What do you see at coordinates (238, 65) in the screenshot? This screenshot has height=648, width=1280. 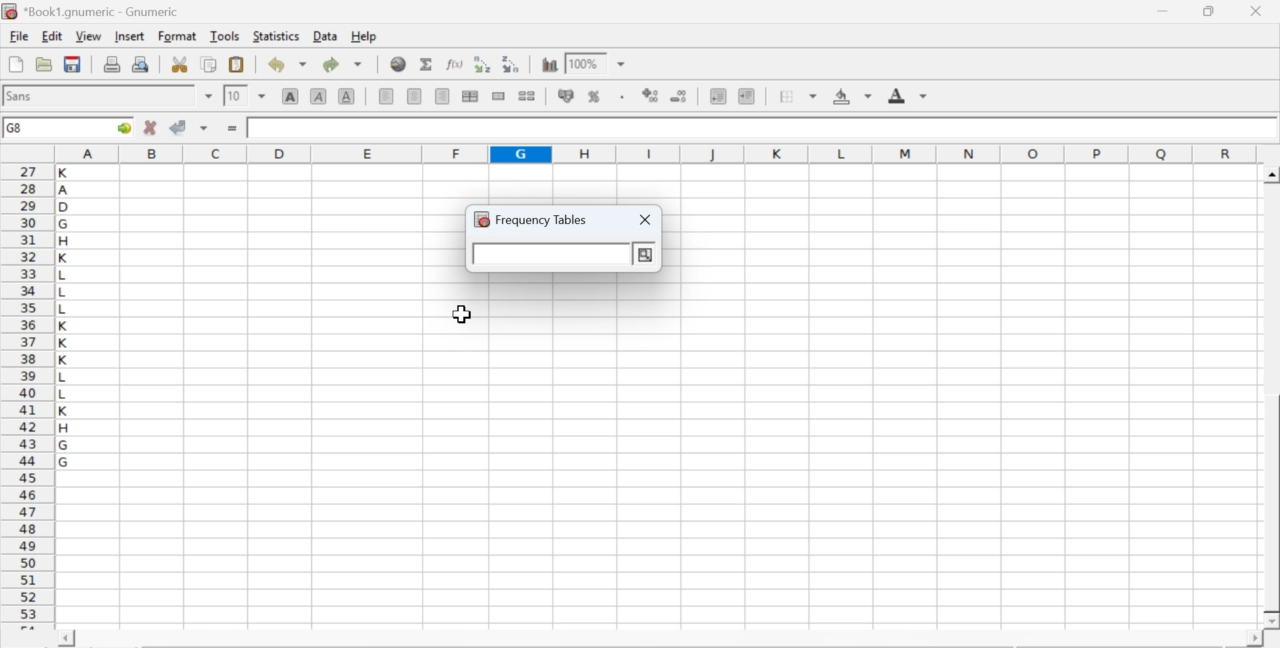 I see `paste` at bounding box center [238, 65].